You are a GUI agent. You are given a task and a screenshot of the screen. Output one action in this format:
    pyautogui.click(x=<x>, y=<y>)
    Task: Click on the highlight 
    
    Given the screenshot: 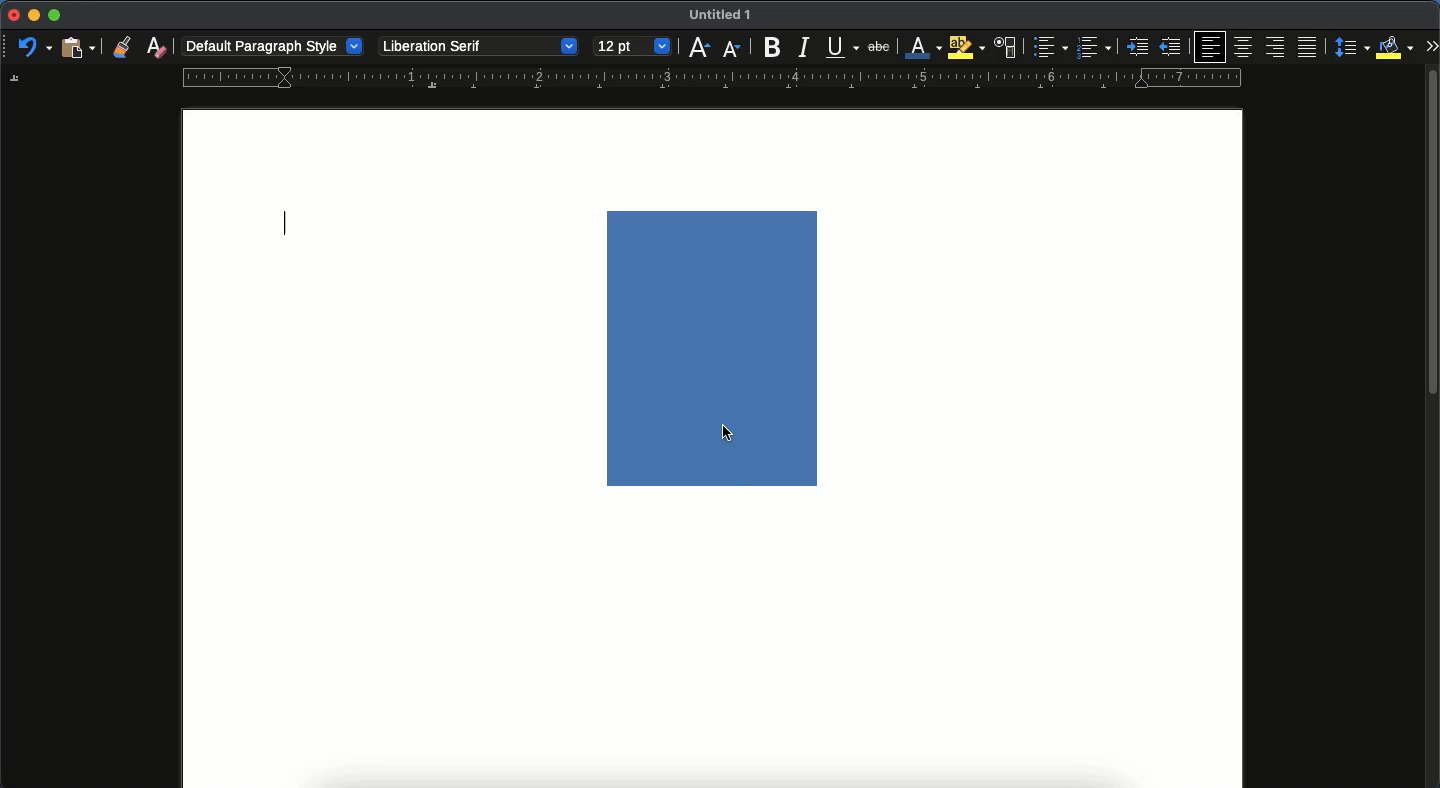 What is the action you would take?
    pyautogui.click(x=966, y=47)
    